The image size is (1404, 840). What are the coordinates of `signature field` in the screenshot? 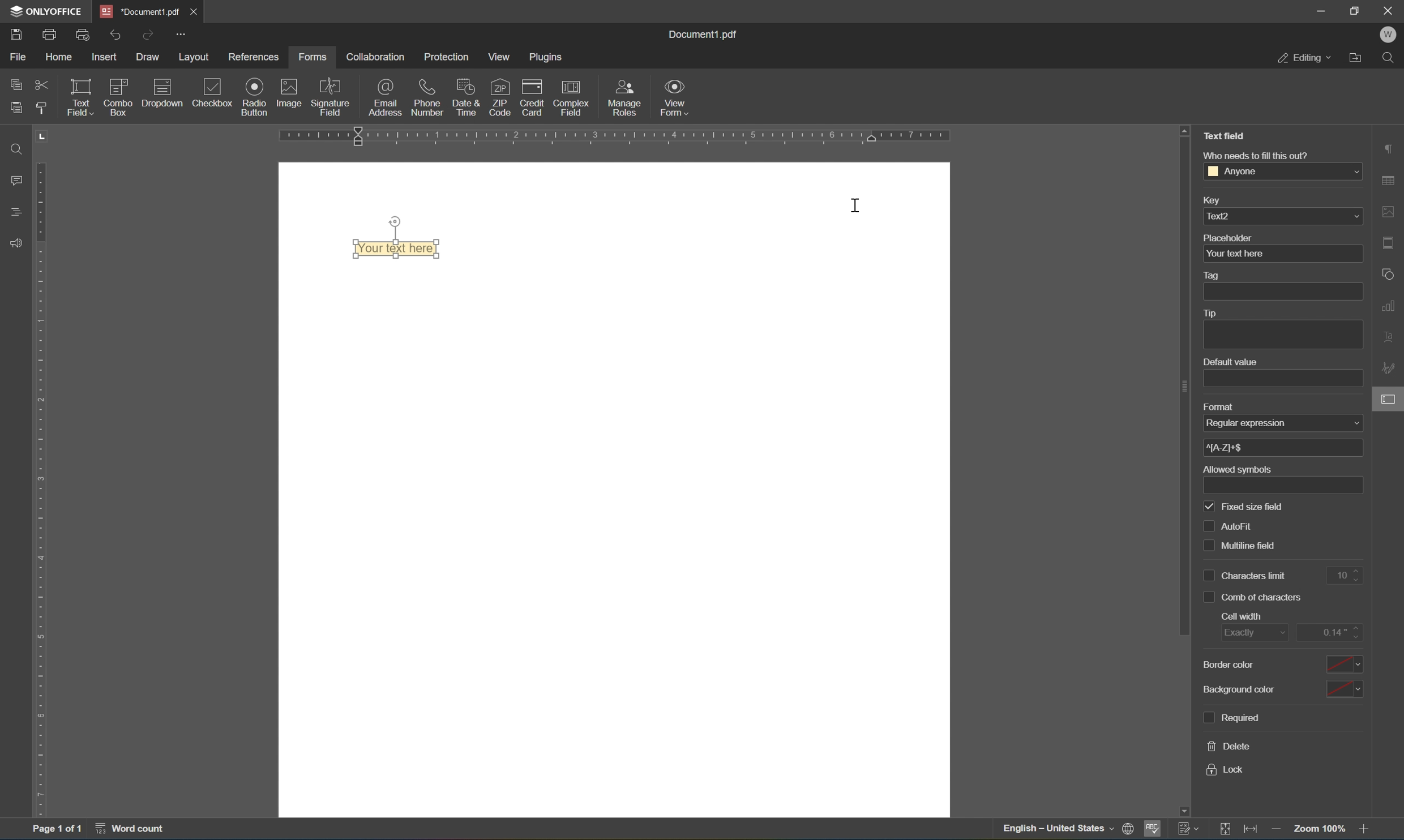 It's located at (331, 97).